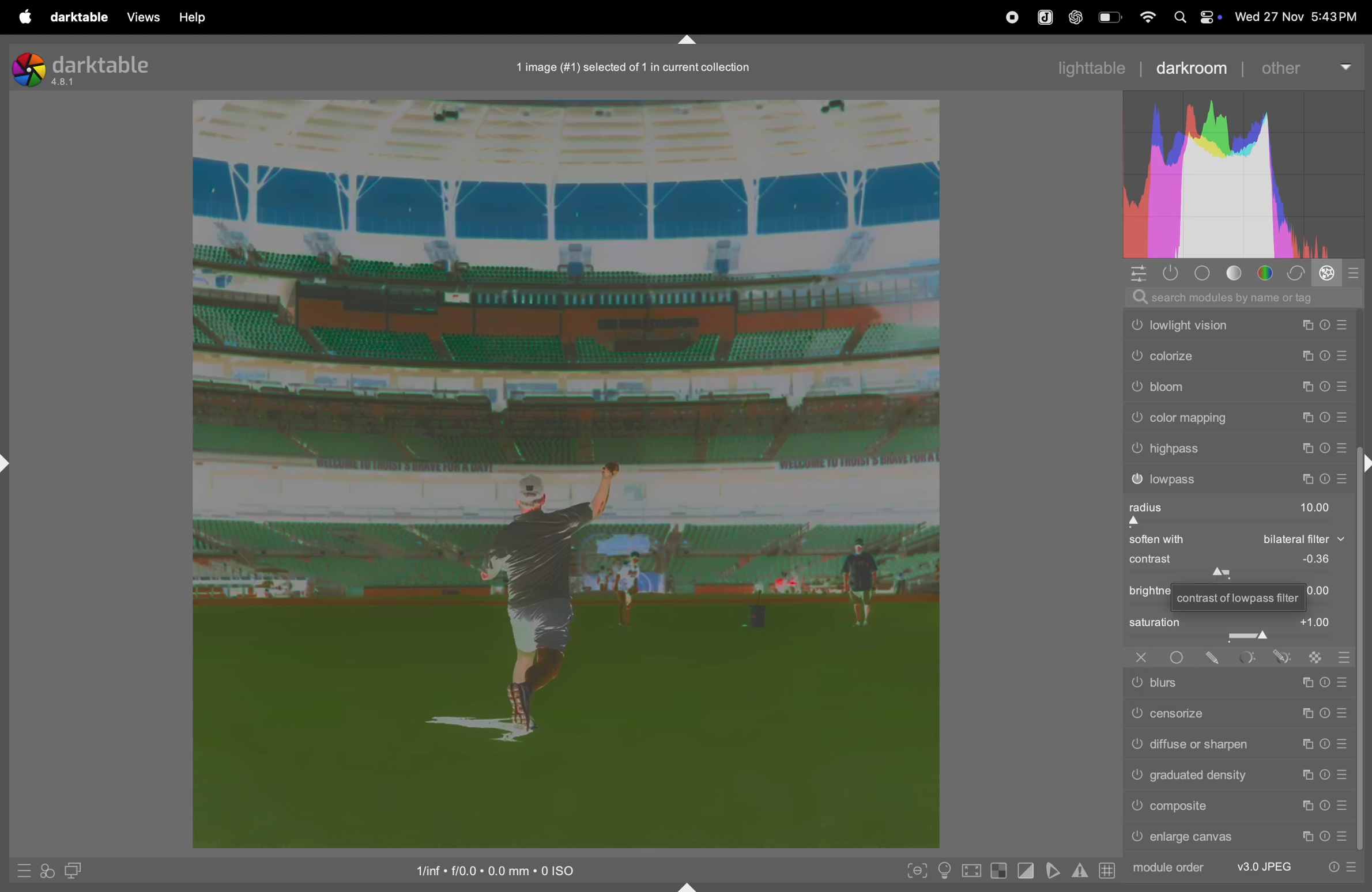  Describe the element at coordinates (9, 466) in the screenshot. I see `shift+ctrl+l` at that location.